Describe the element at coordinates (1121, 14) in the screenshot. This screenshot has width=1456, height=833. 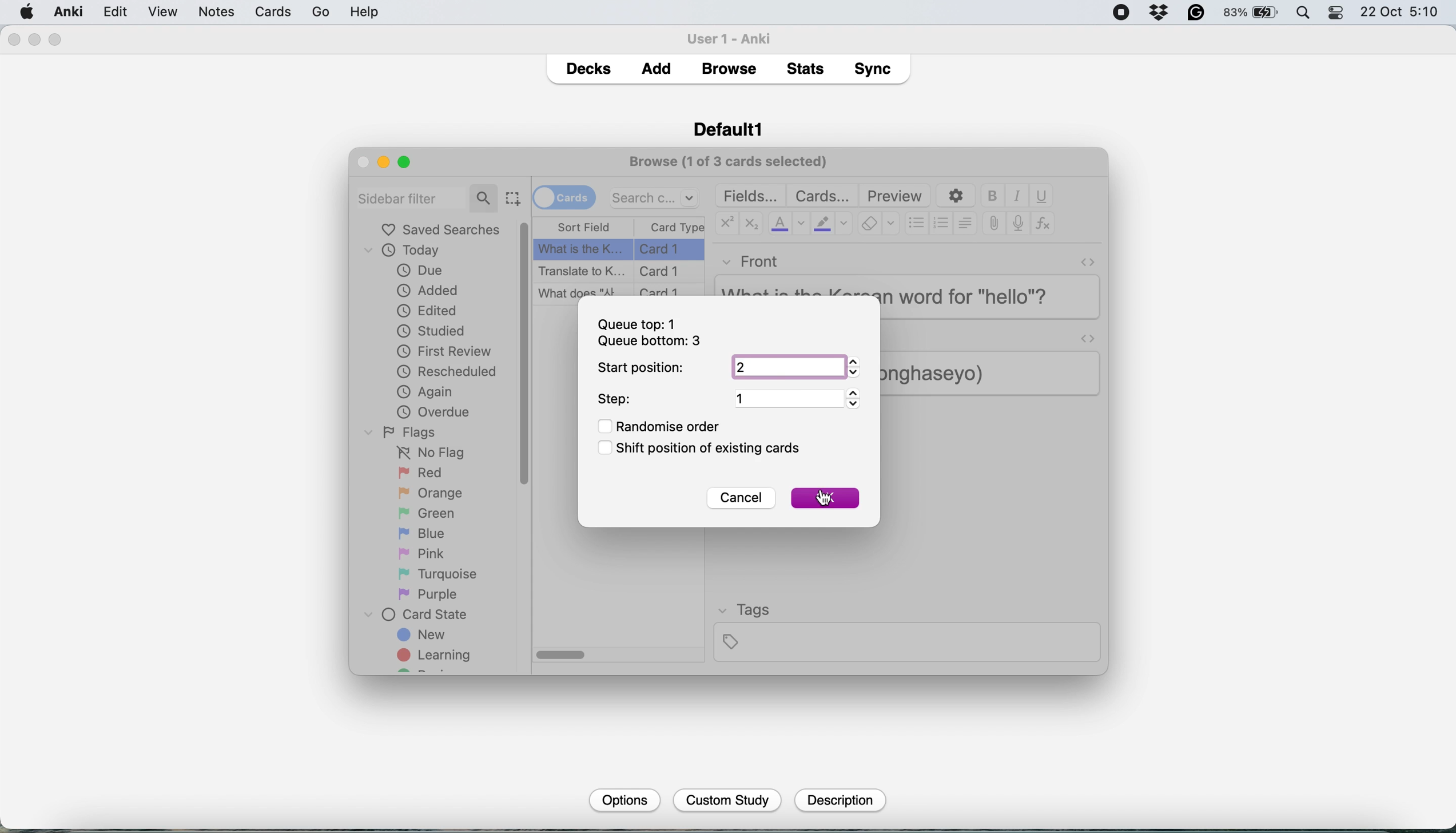
I see `screen recorder` at that location.